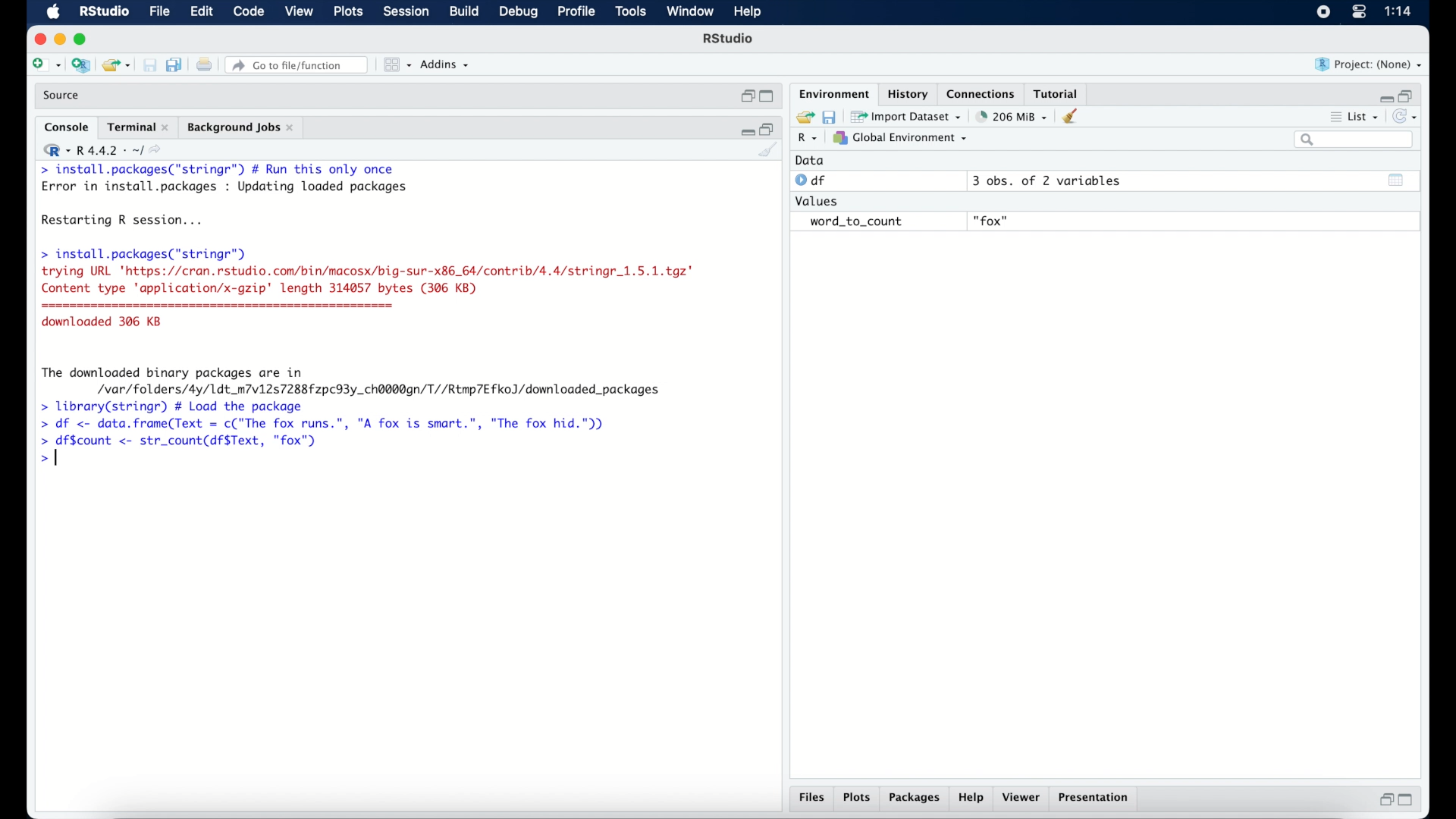 Image resolution: width=1456 pixels, height=819 pixels. I want to click on maximize, so click(83, 39).